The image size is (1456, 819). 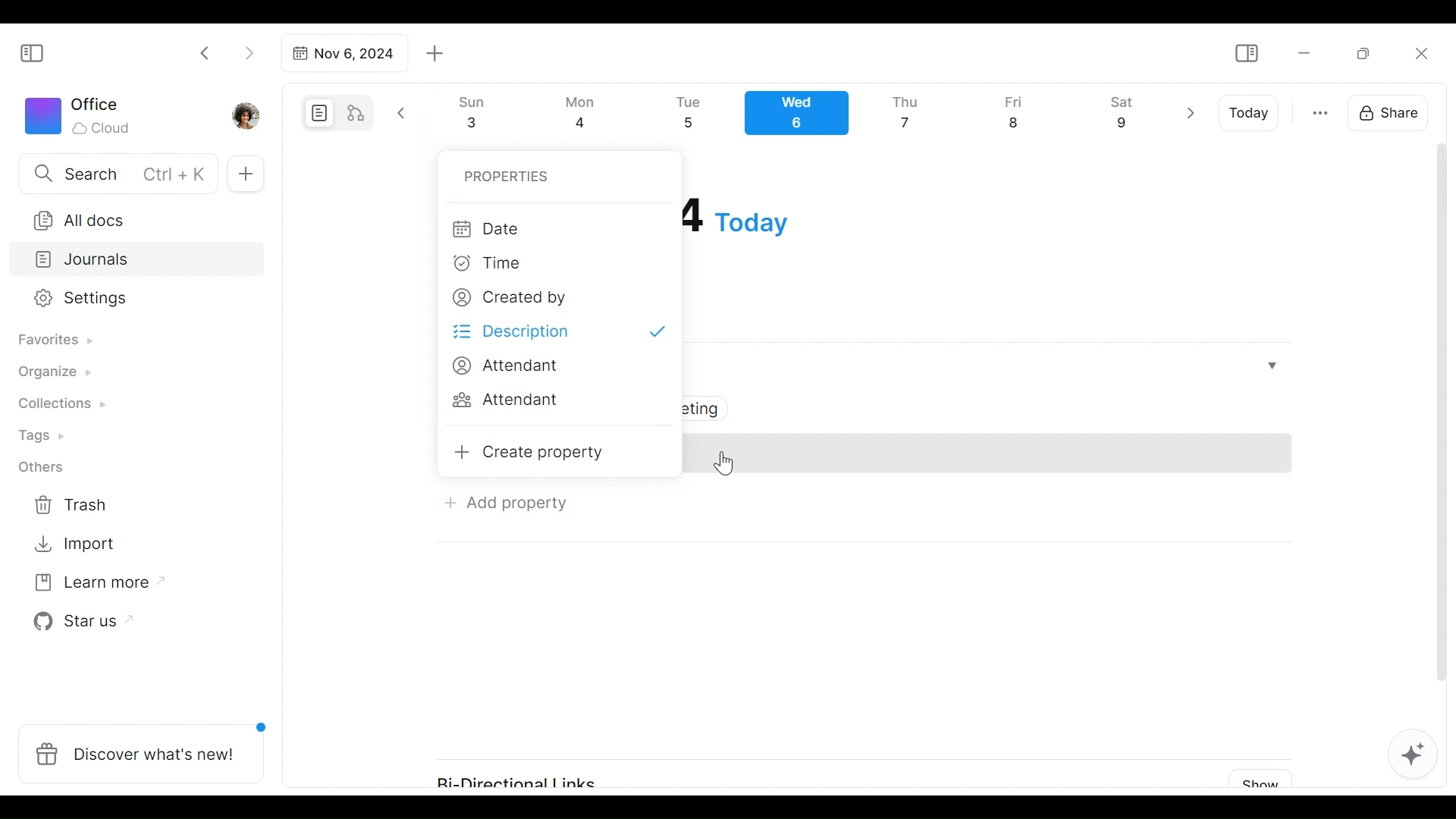 What do you see at coordinates (206, 52) in the screenshot?
I see `Click to go back` at bounding box center [206, 52].